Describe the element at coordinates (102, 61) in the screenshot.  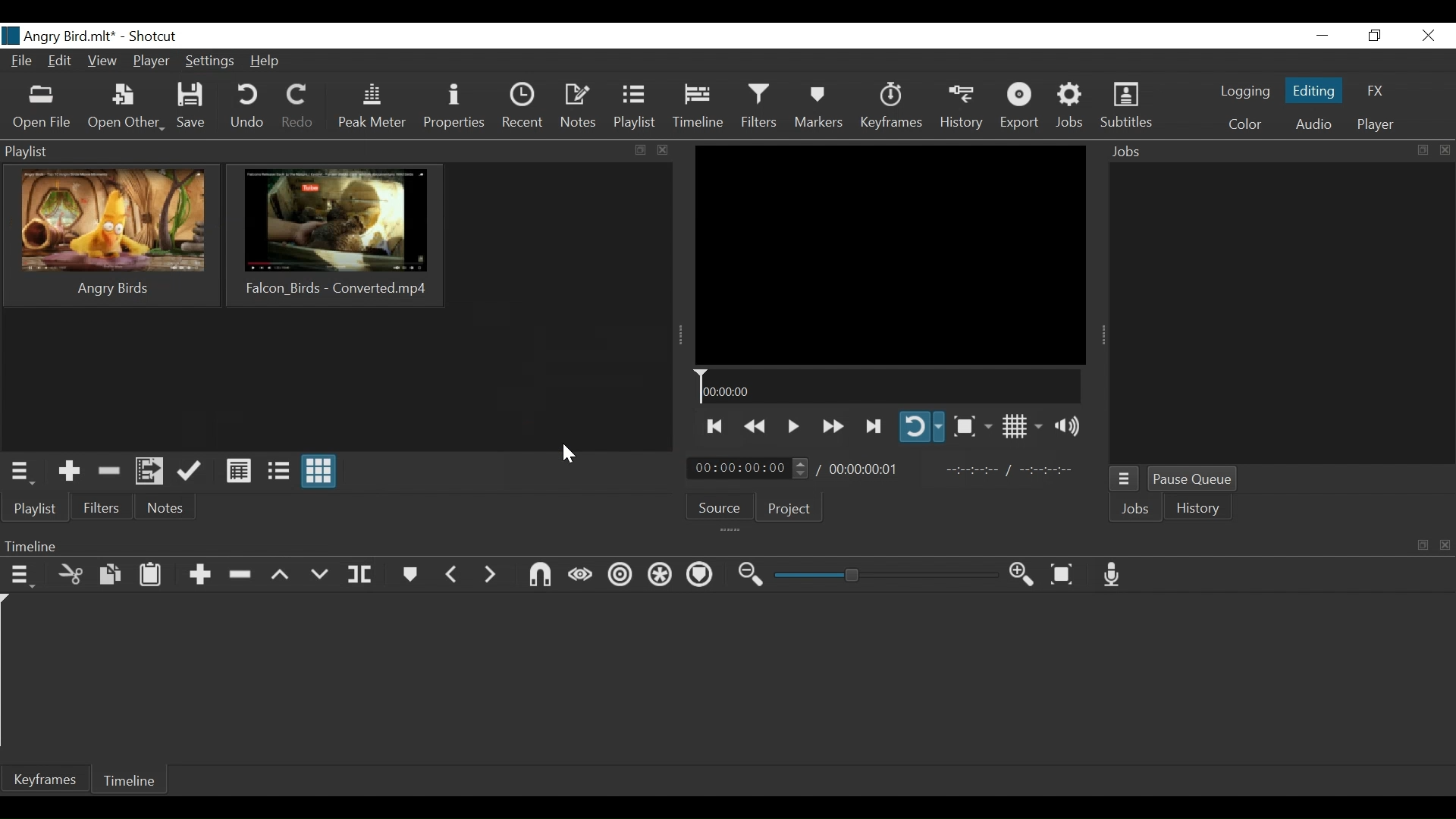
I see `View` at that location.